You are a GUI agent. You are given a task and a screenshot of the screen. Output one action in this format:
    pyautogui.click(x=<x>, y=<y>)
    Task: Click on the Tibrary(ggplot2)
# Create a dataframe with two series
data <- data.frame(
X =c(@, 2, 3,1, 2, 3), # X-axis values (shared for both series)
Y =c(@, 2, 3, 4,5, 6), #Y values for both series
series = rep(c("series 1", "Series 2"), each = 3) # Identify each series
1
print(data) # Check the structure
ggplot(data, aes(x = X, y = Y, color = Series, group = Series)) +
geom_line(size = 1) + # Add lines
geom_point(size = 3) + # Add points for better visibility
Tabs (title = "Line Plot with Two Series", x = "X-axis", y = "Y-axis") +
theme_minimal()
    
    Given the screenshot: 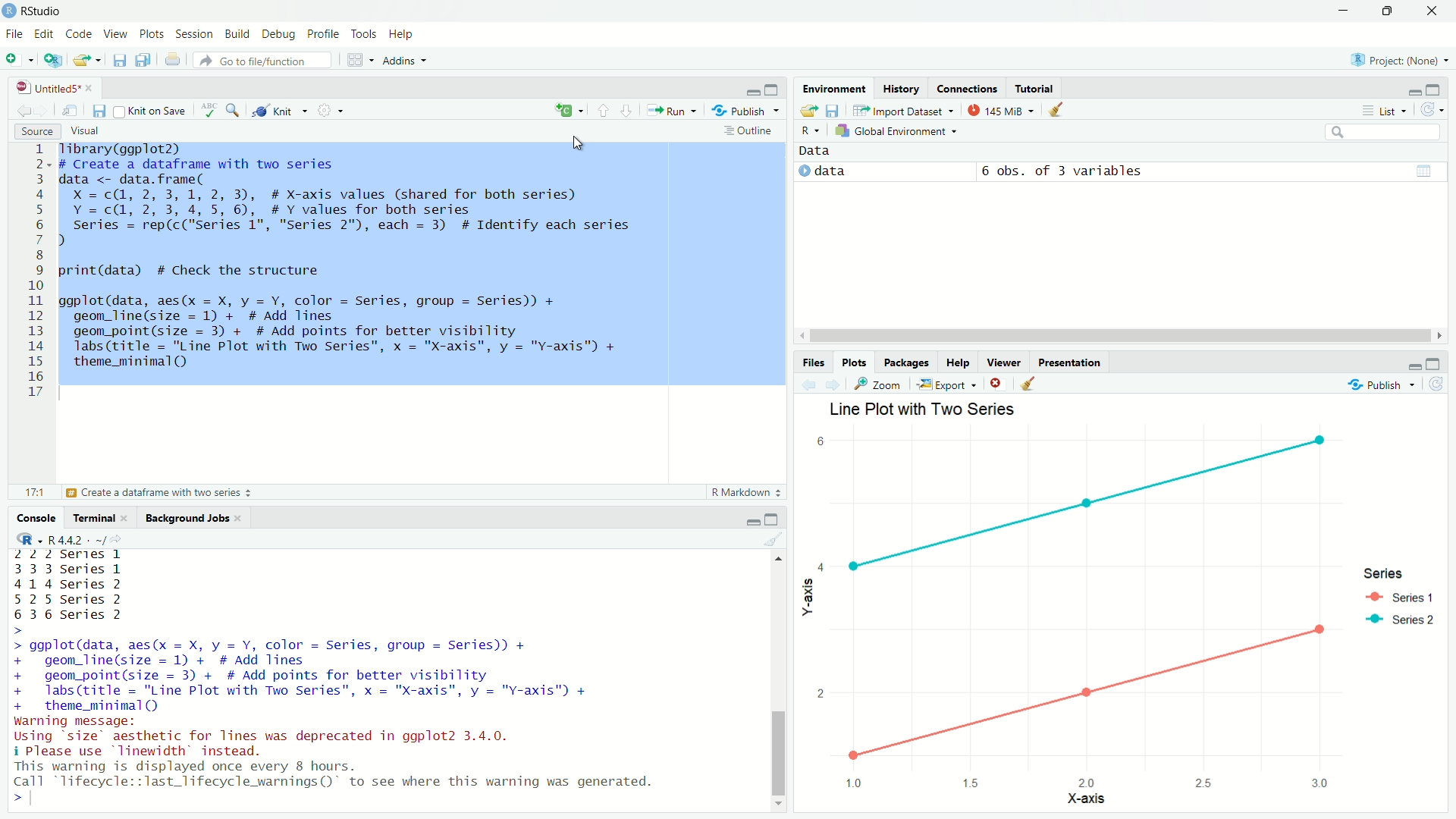 What is the action you would take?
    pyautogui.click(x=422, y=265)
    